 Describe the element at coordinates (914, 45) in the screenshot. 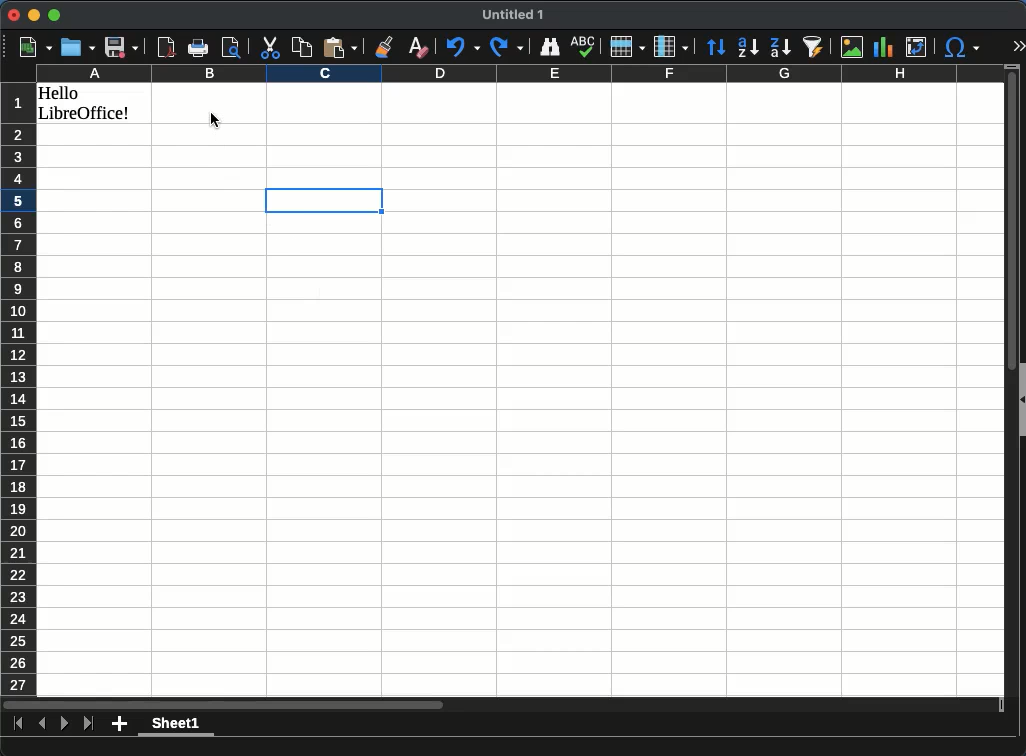

I see `pivot table` at that location.